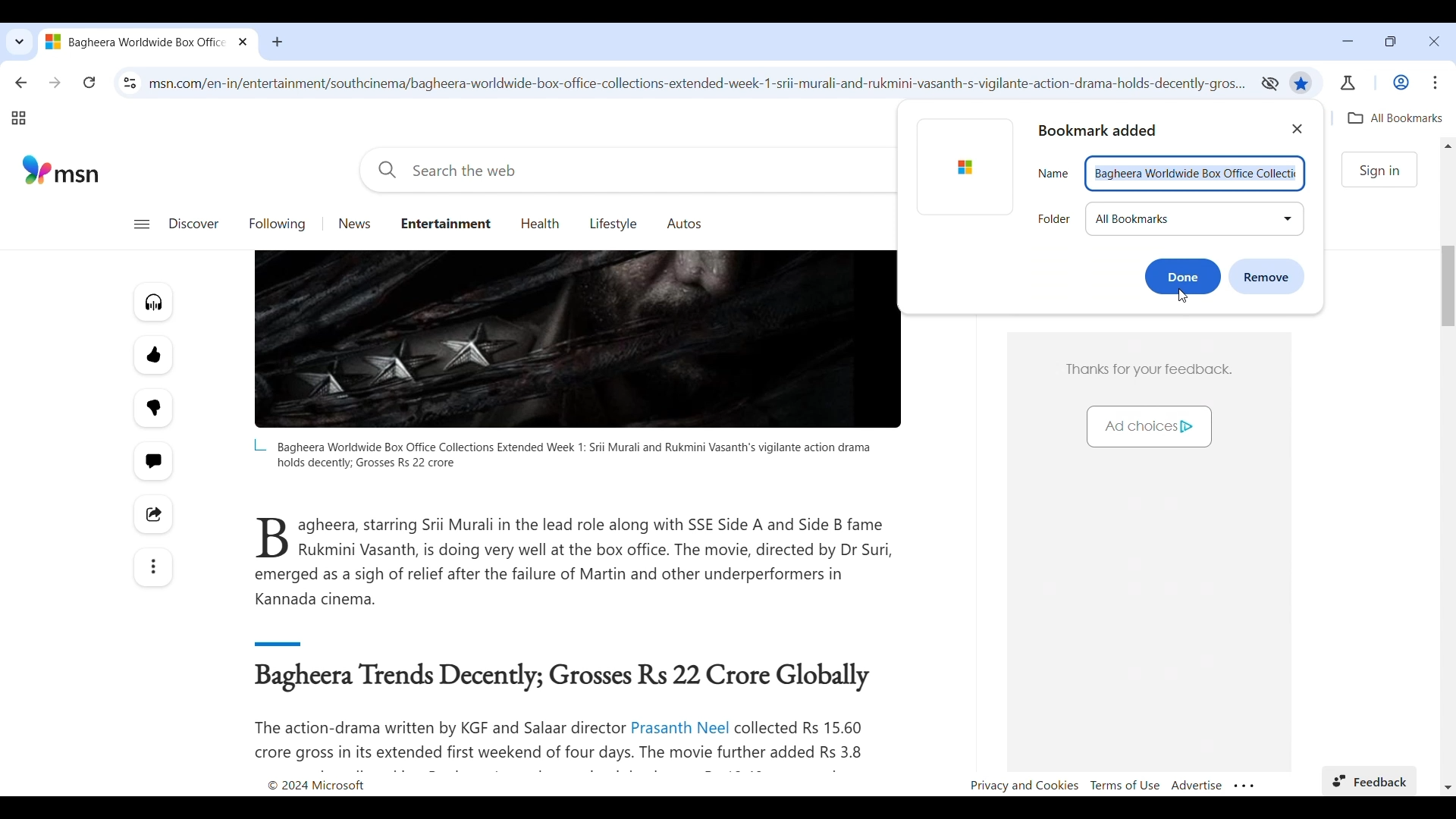 The image size is (1456, 819). Describe the element at coordinates (445, 222) in the screenshot. I see `Entertainment page highlighted as current page` at that location.